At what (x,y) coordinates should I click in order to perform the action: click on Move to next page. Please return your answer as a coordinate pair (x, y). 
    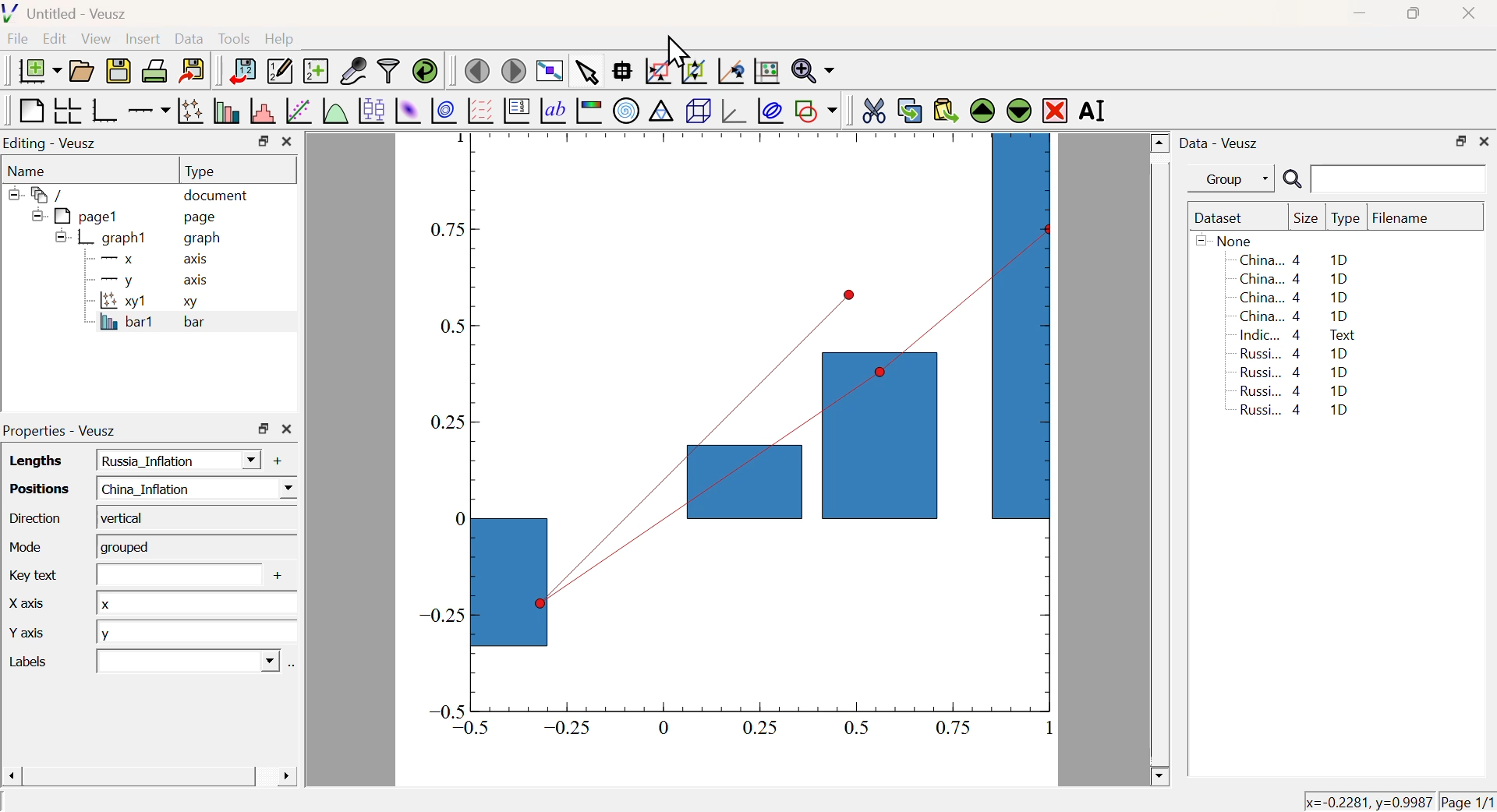
    Looking at the image, I should click on (515, 71).